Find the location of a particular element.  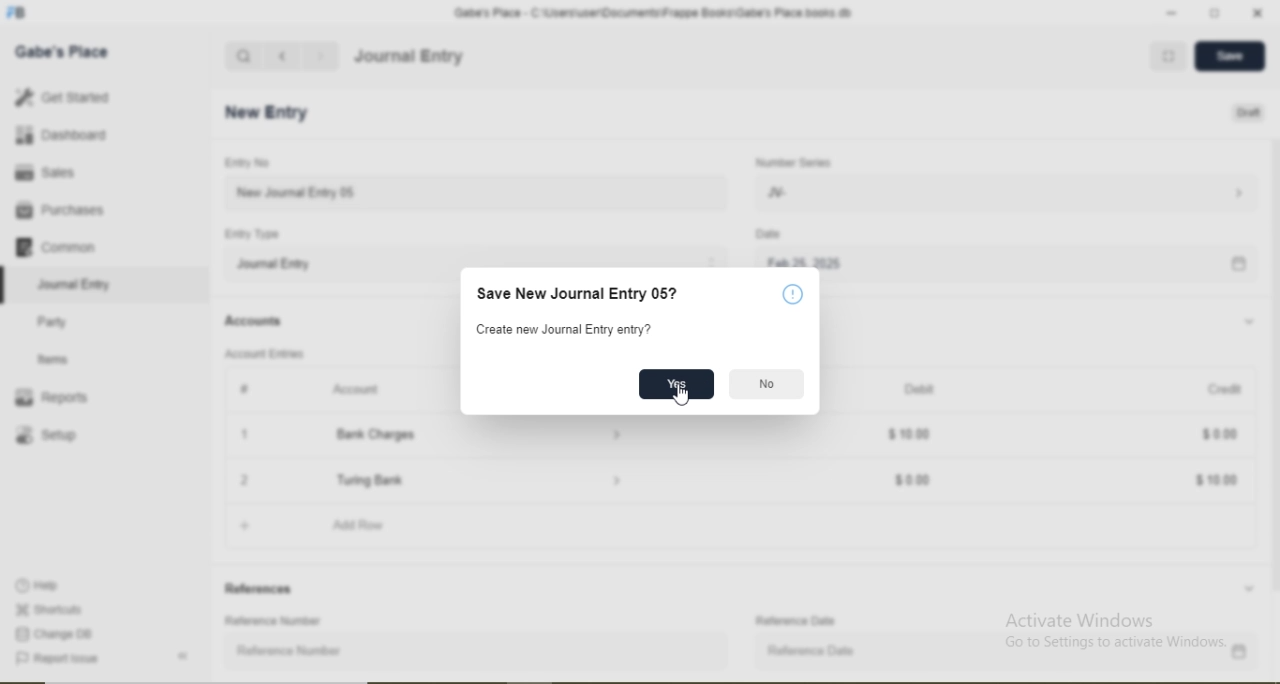

Yes is located at coordinates (676, 383).